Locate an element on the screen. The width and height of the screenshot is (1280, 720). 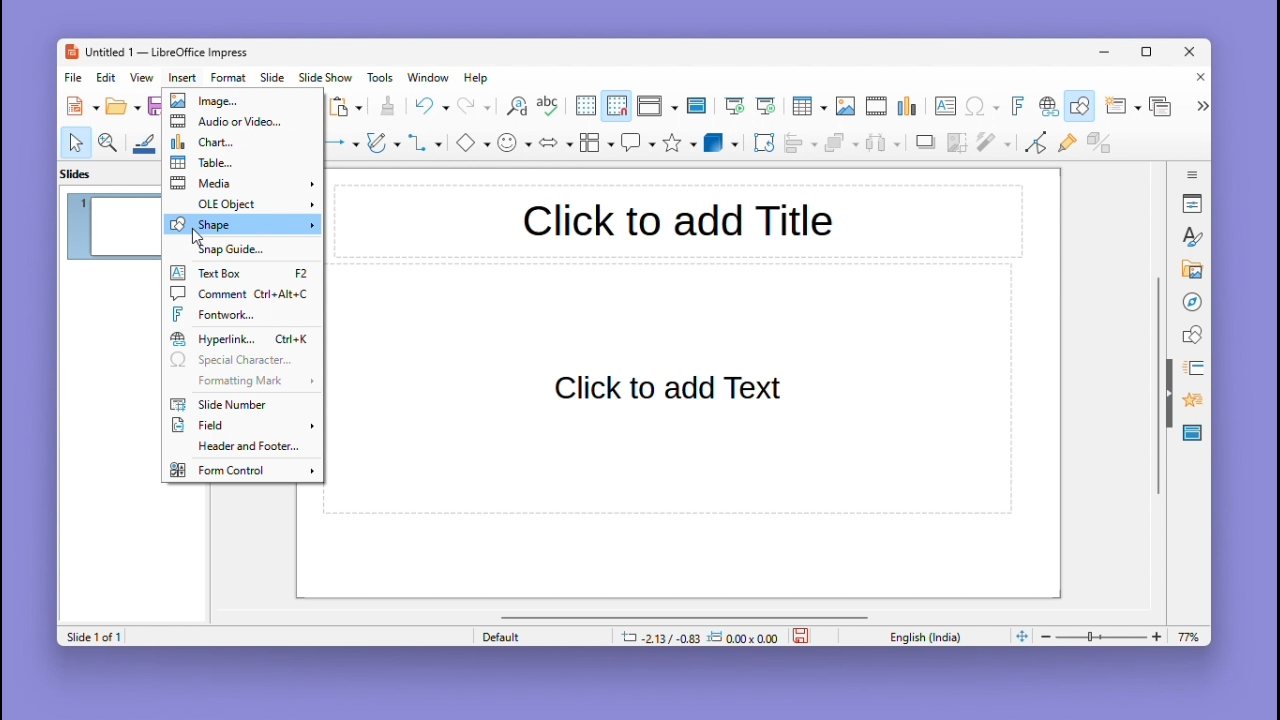
Align is located at coordinates (800, 143).